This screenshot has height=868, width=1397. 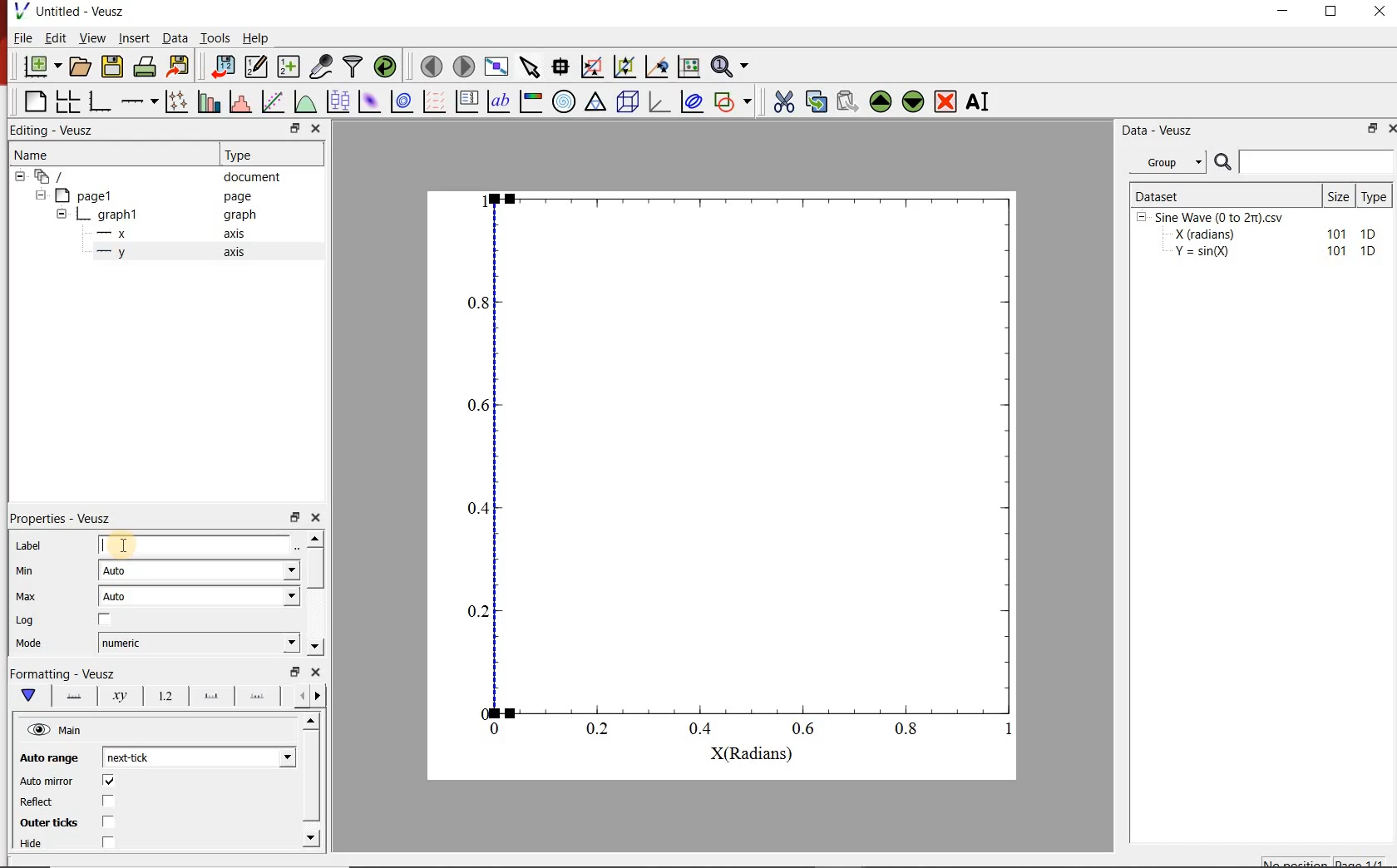 What do you see at coordinates (211, 100) in the screenshot?
I see `plot bar charts` at bounding box center [211, 100].